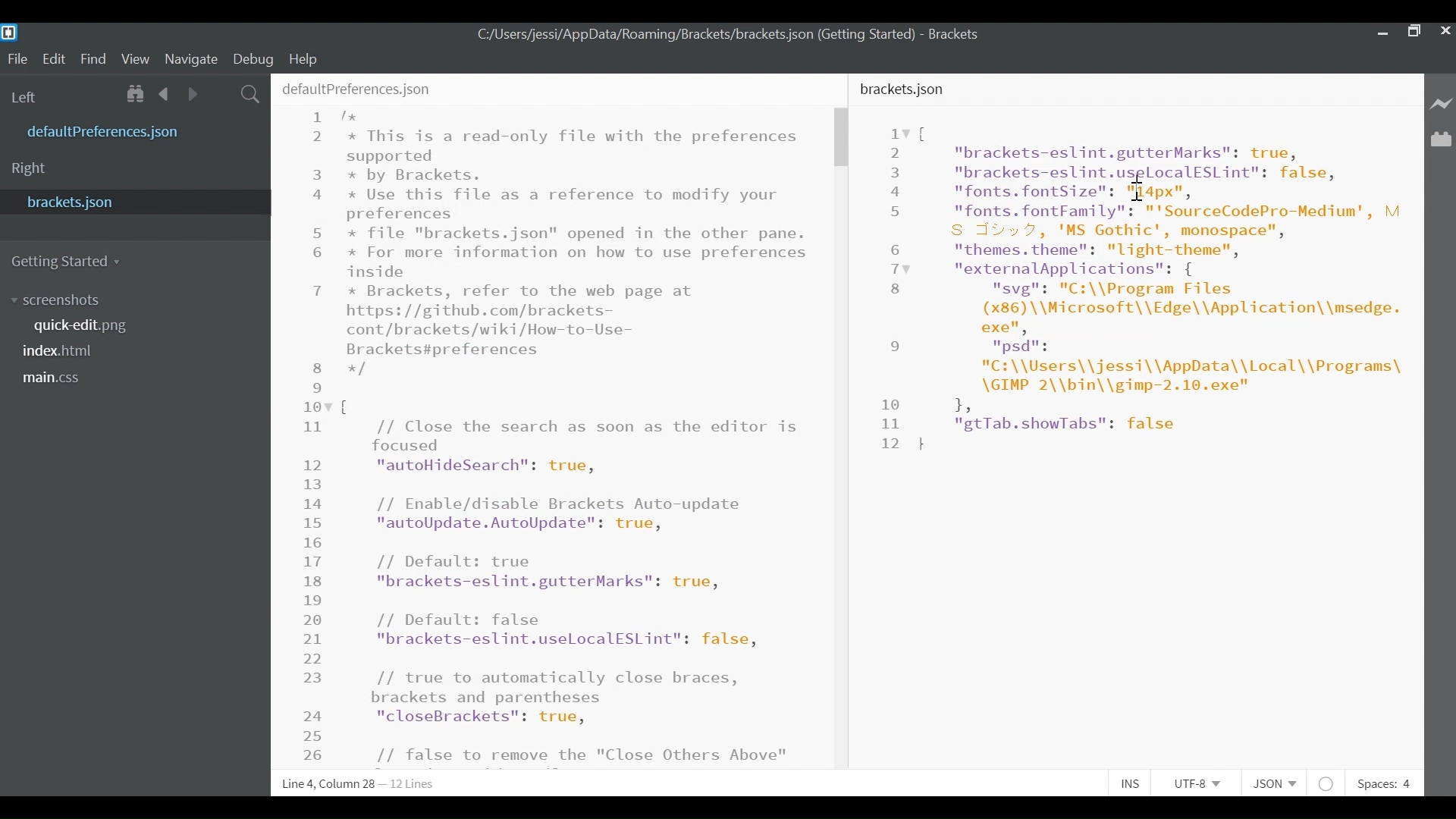 The width and height of the screenshot is (1456, 819). I want to click on Close, so click(1445, 33).